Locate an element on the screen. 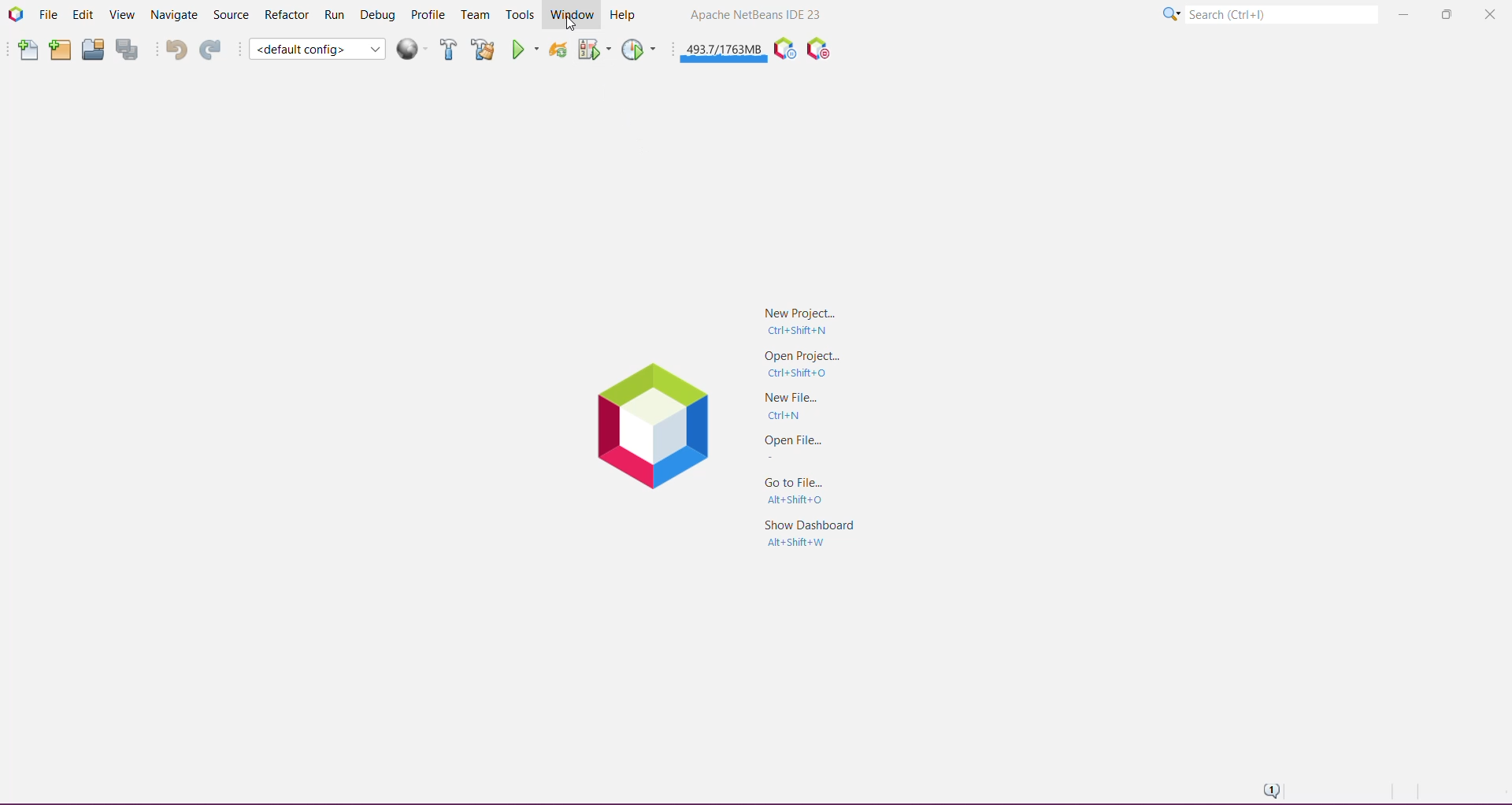 The width and height of the screenshot is (1512, 805). Profile Main Project is located at coordinates (640, 49).